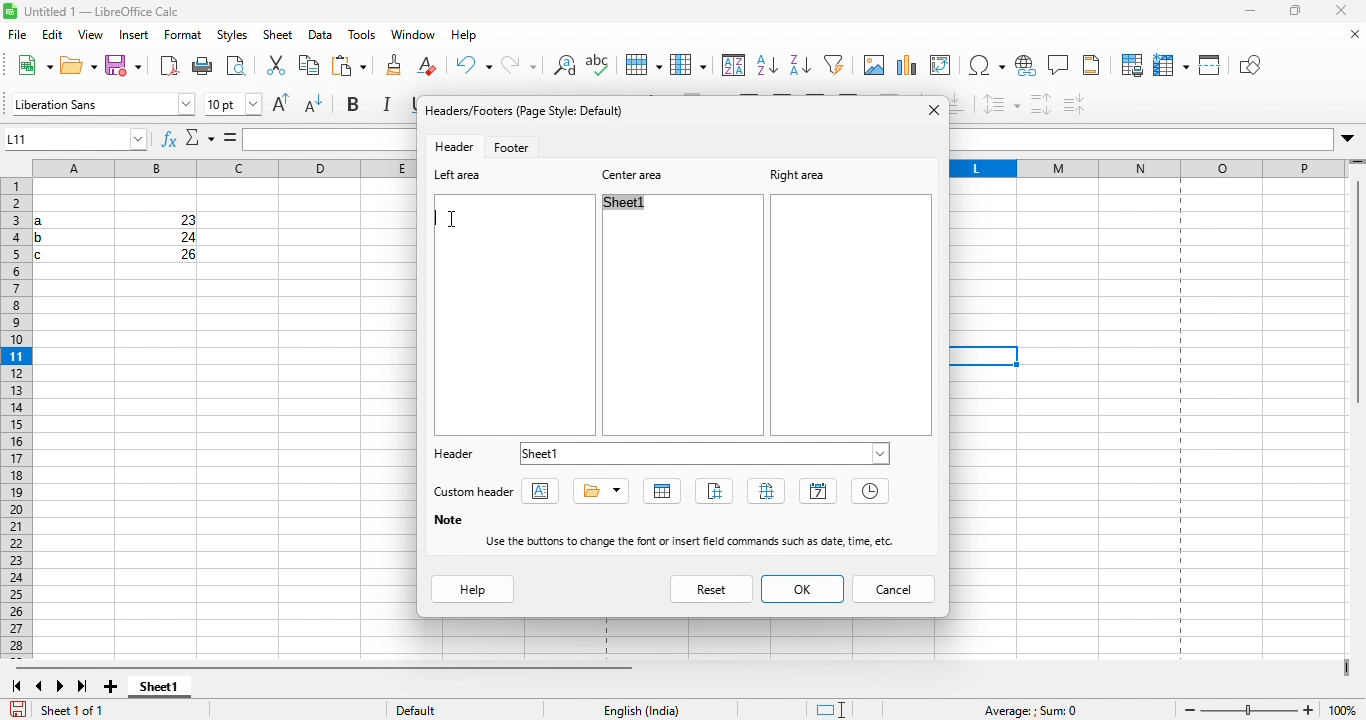 The image size is (1366, 720). What do you see at coordinates (321, 39) in the screenshot?
I see `data` at bounding box center [321, 39].